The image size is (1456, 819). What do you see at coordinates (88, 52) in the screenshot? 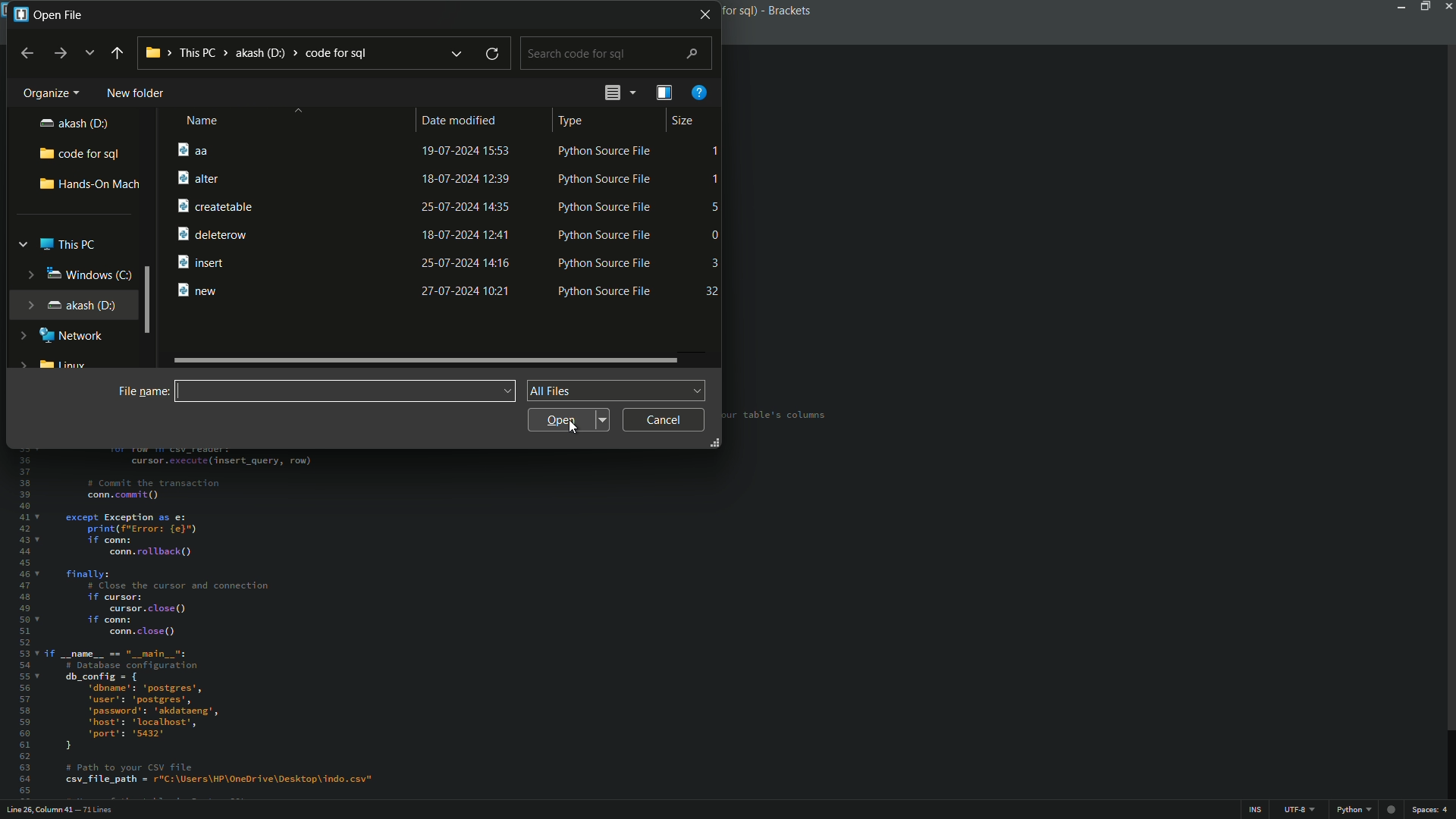
I see `recent location` at bounding box center [88, 52].